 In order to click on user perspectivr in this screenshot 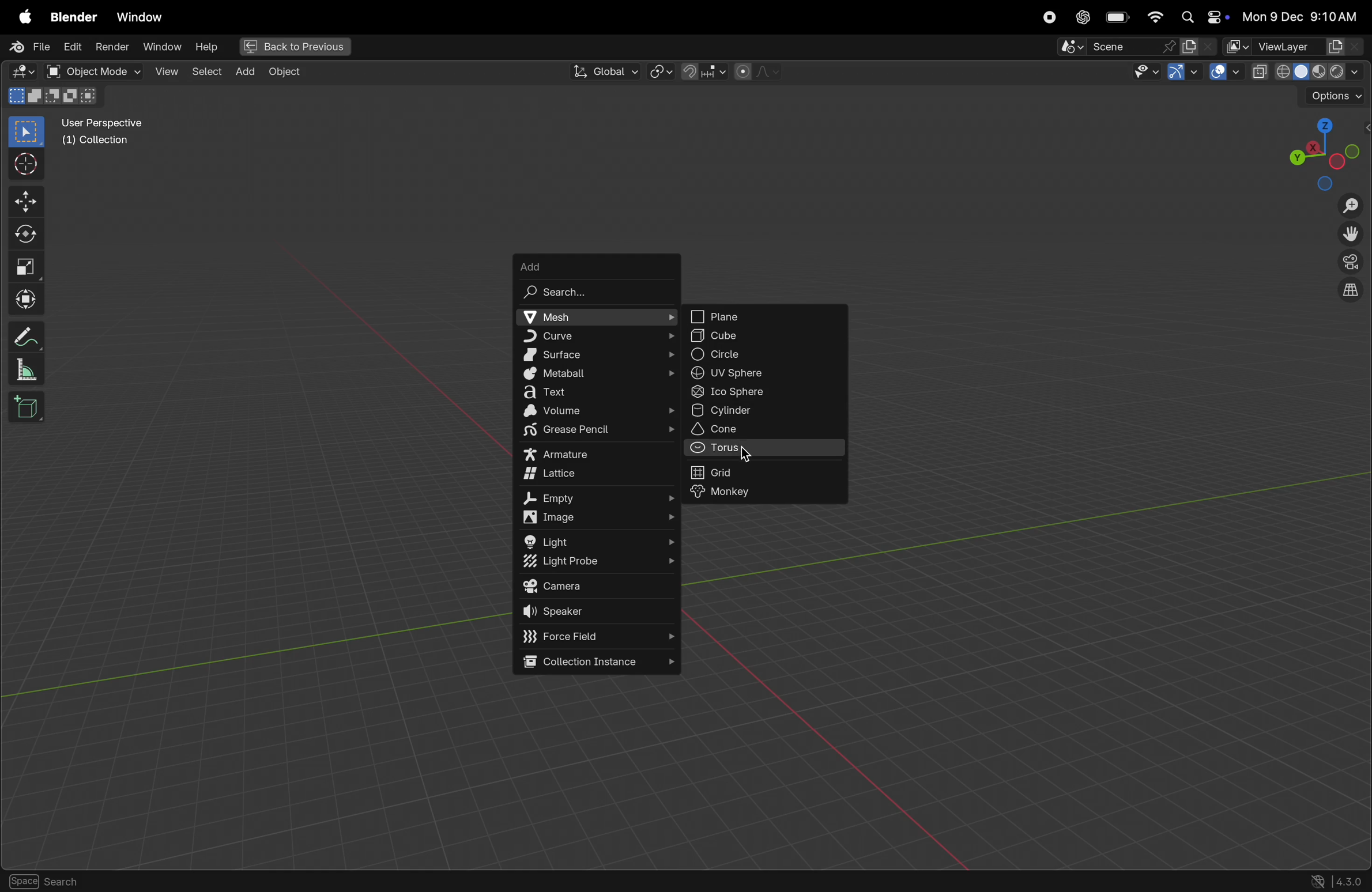, I will do `click(105, 134)`.